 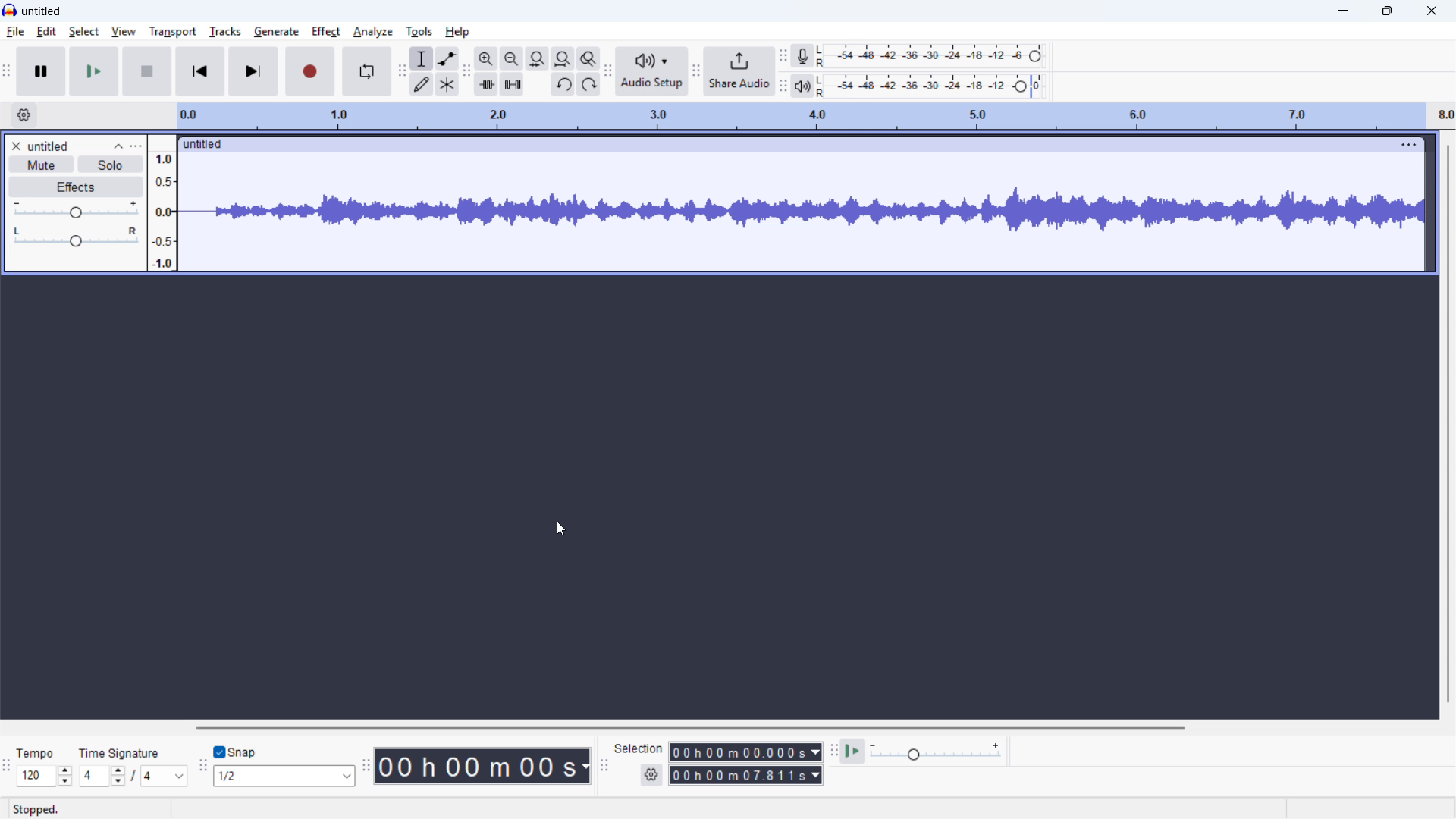 I want to click on set Time signature, so click(x=134, y=776).